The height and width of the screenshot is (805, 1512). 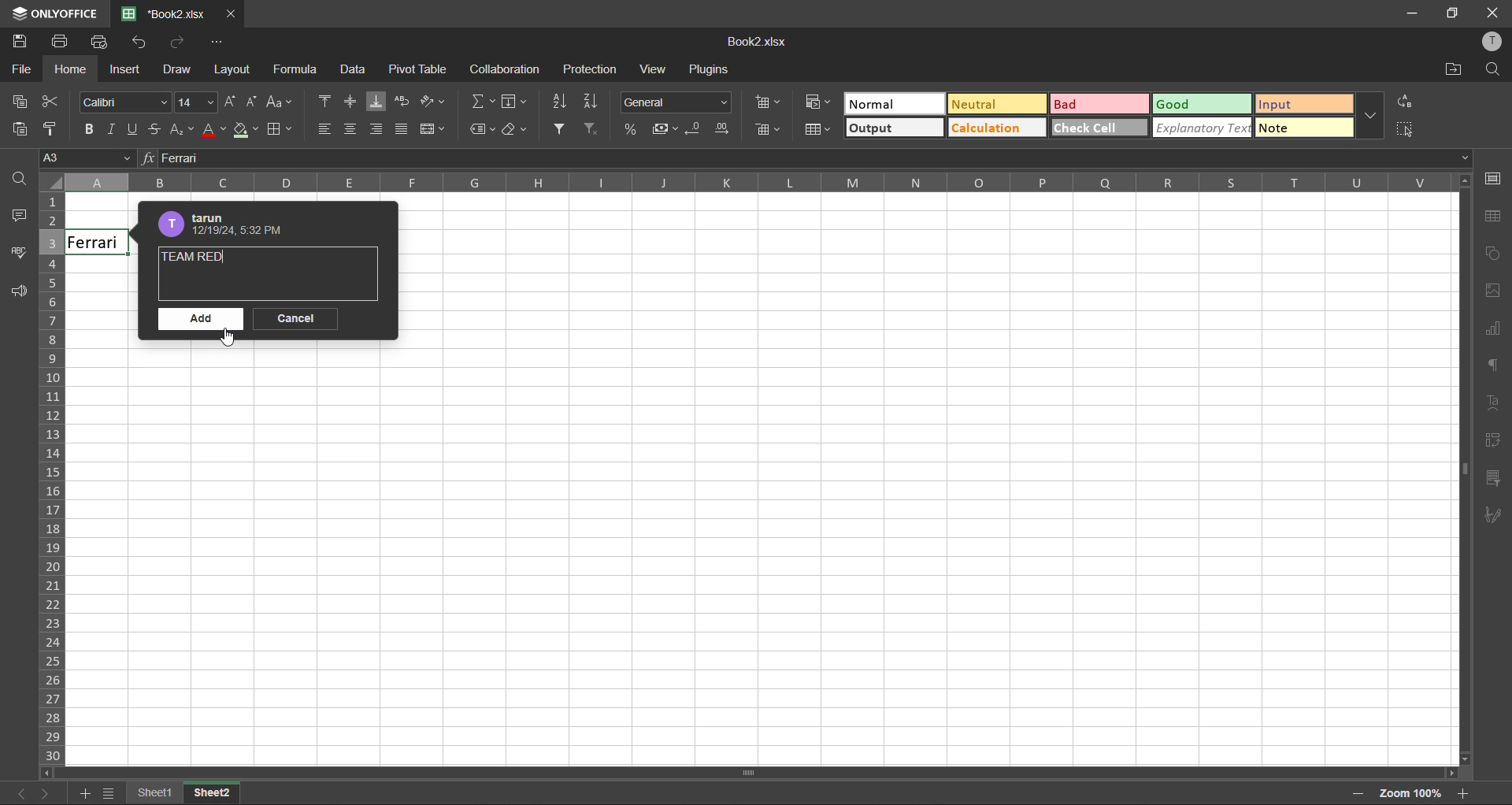 What do you see at coordinates (1492, 255) in the screenshot?
I see `shapes` at bounding box center [1492, 255].